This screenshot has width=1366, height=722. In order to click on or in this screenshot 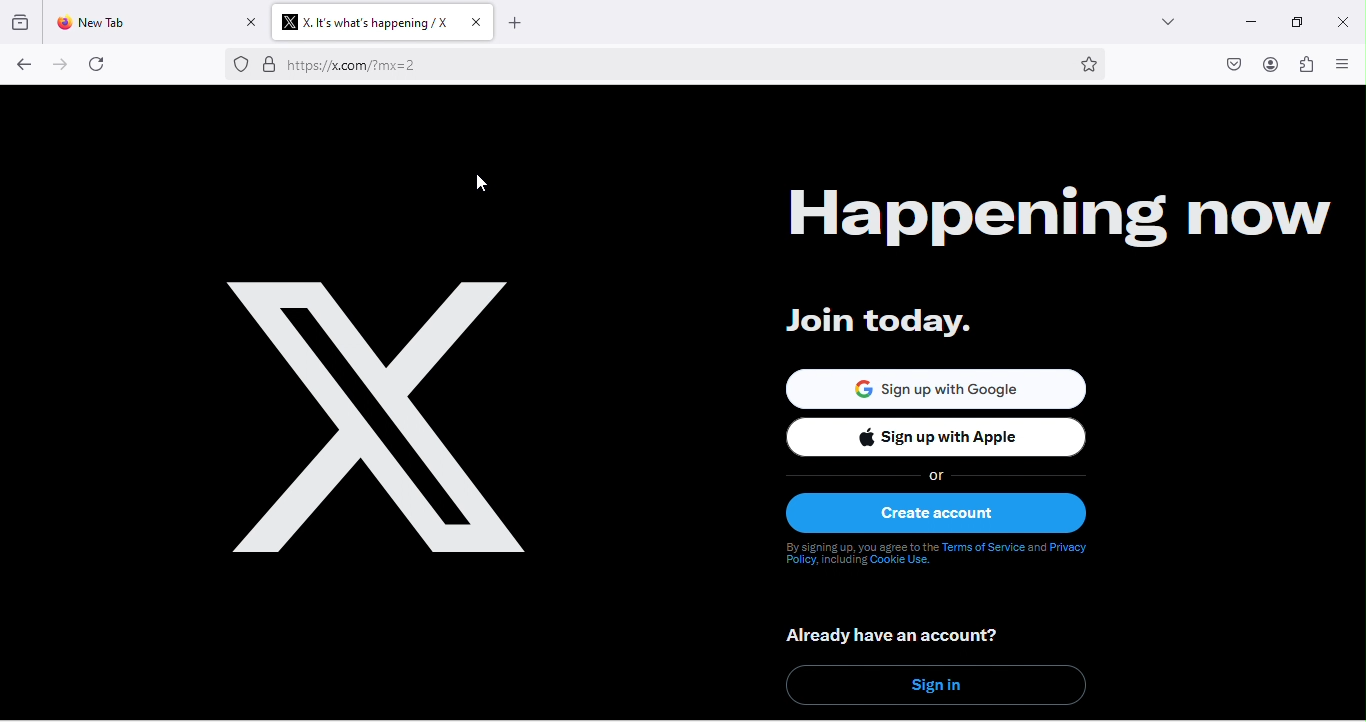, I will do `click(940, 475)`.